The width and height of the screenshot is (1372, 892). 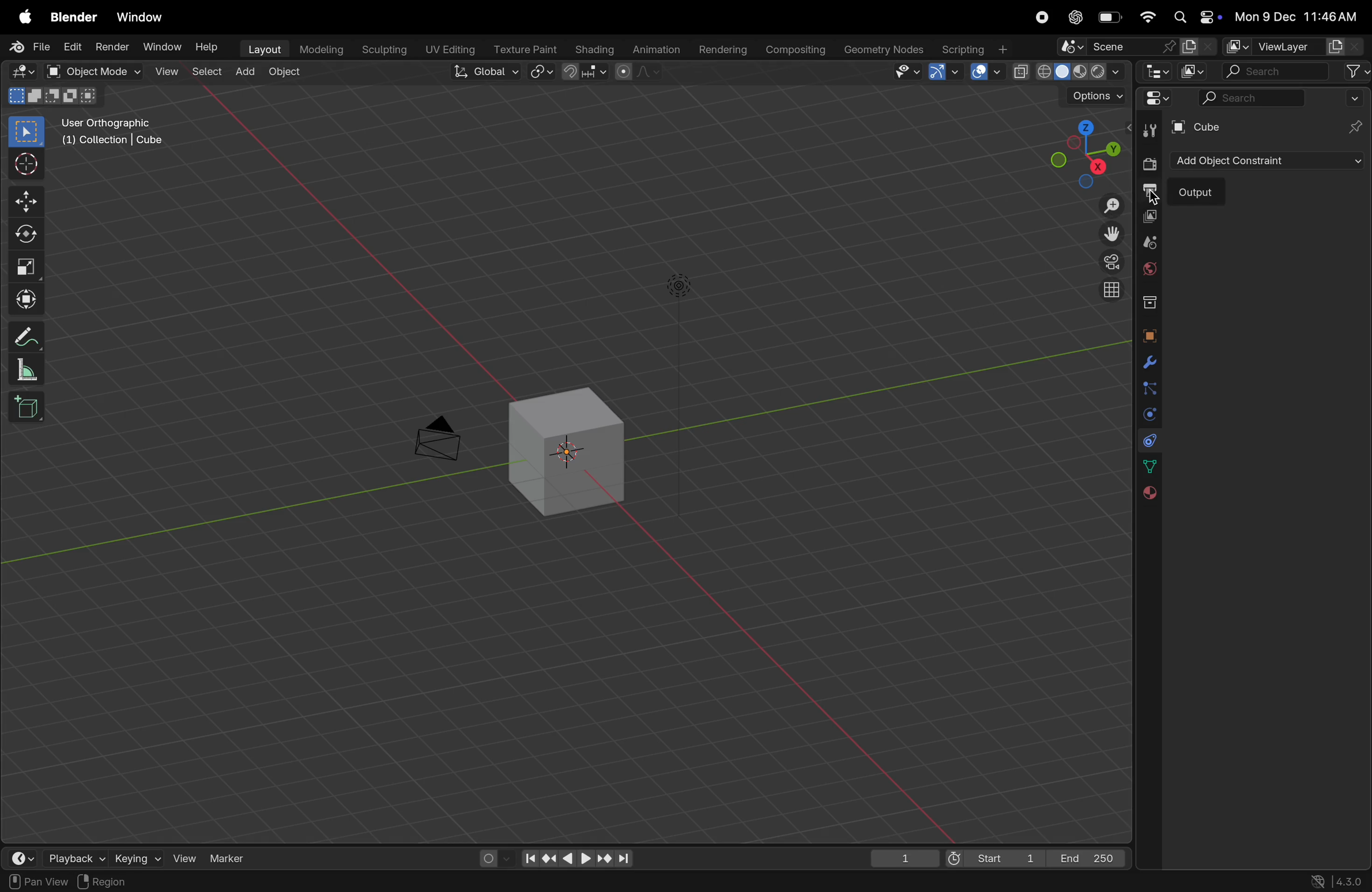 I want to click on record, so click(x=1043, y=18).